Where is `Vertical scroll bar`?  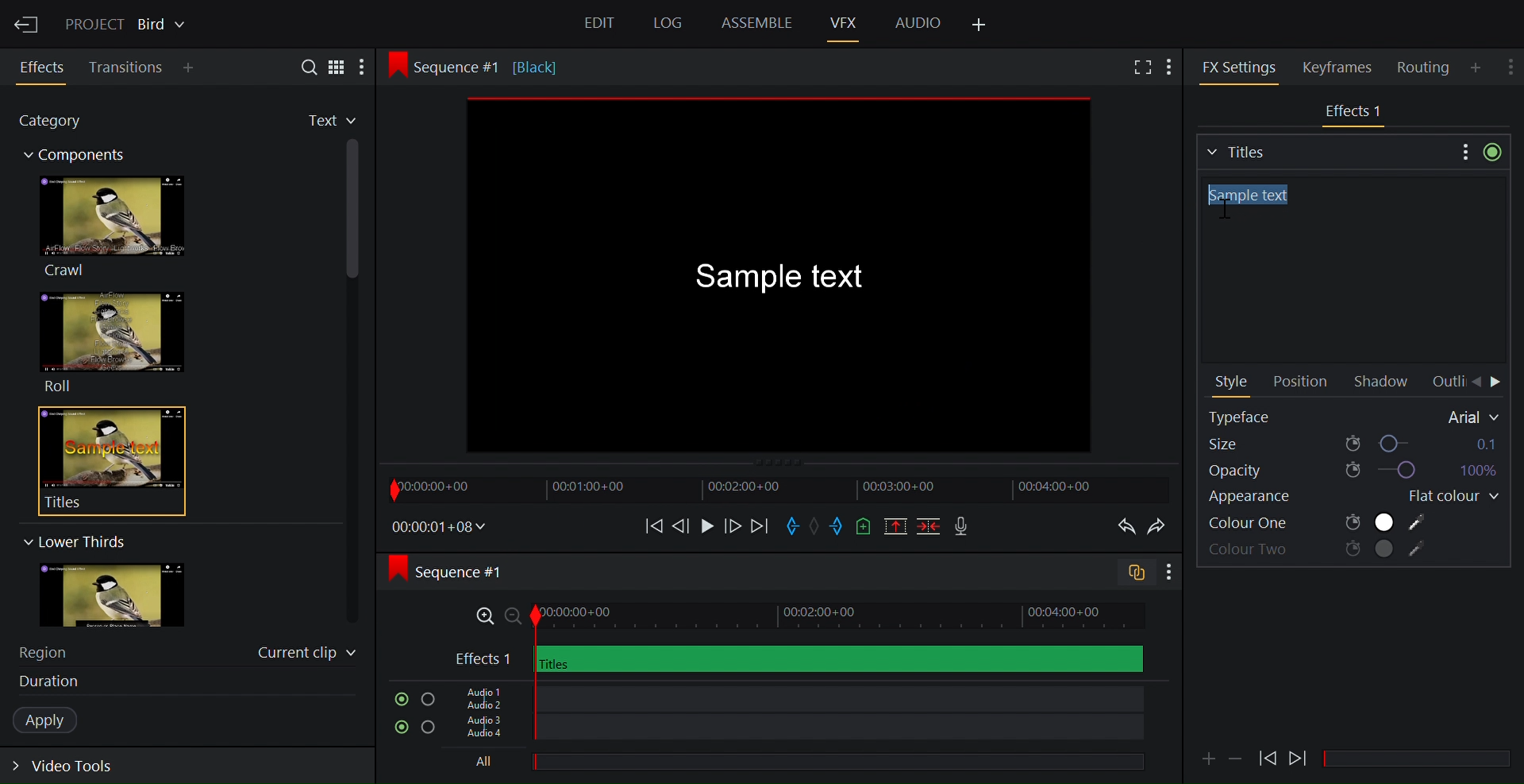
Vertical scroll bar is located at coordinates (354, 290).